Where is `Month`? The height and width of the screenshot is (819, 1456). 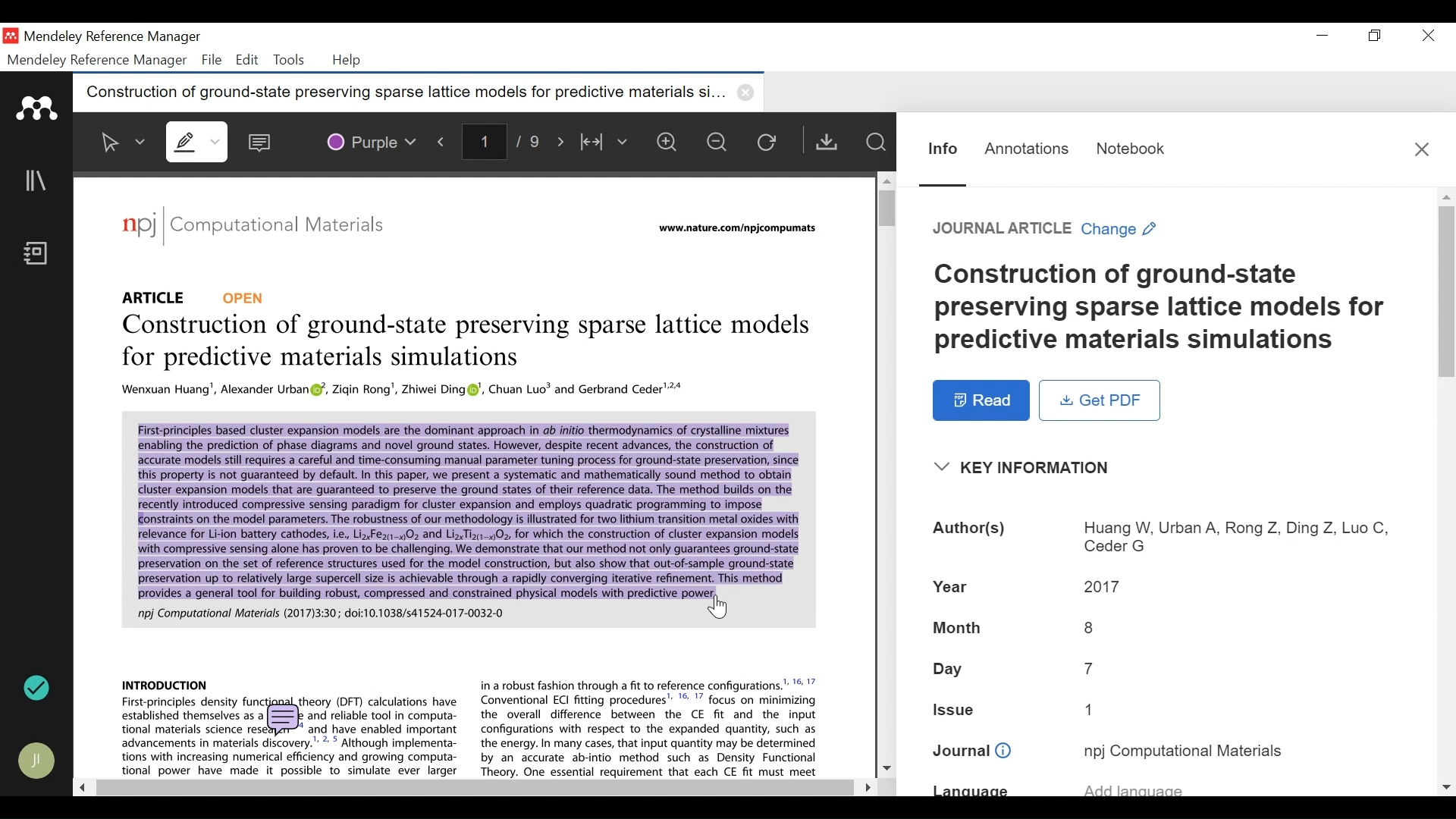
Month is located at coordinates (1090, 627).